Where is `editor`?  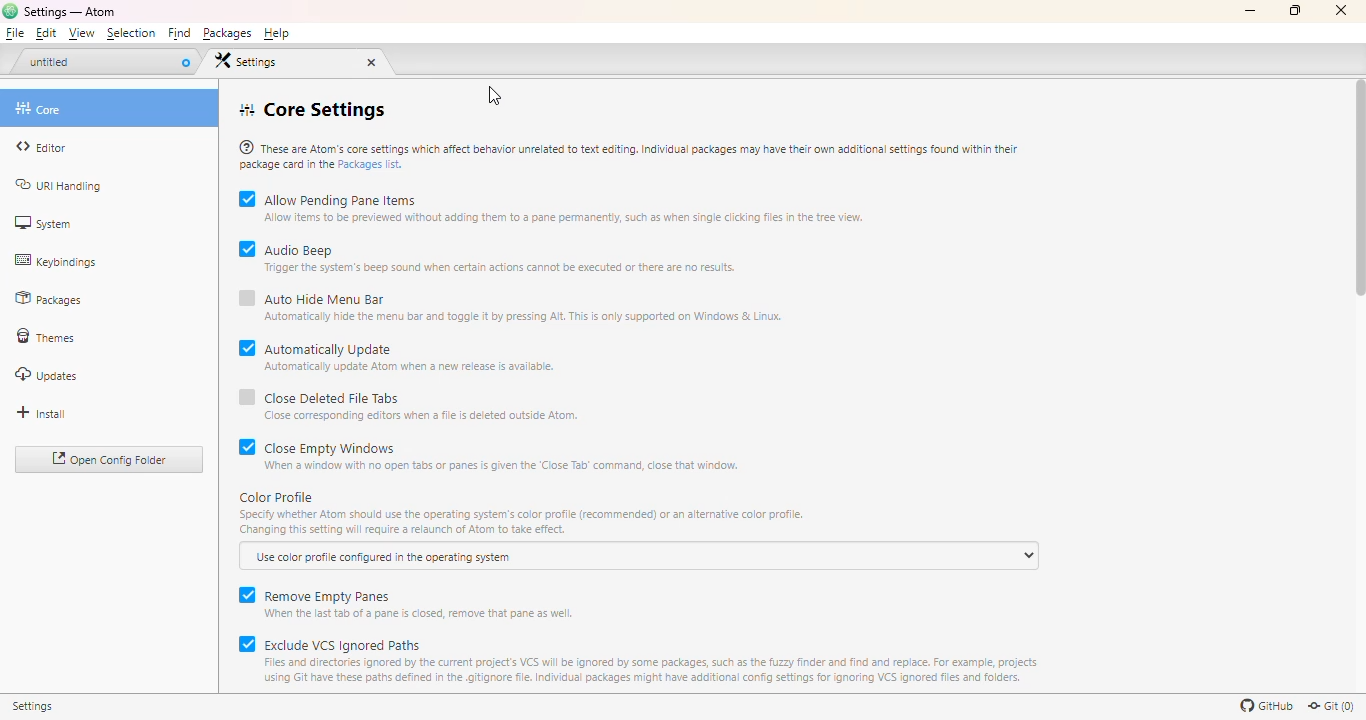
editor is located at coordinates (41, 147).